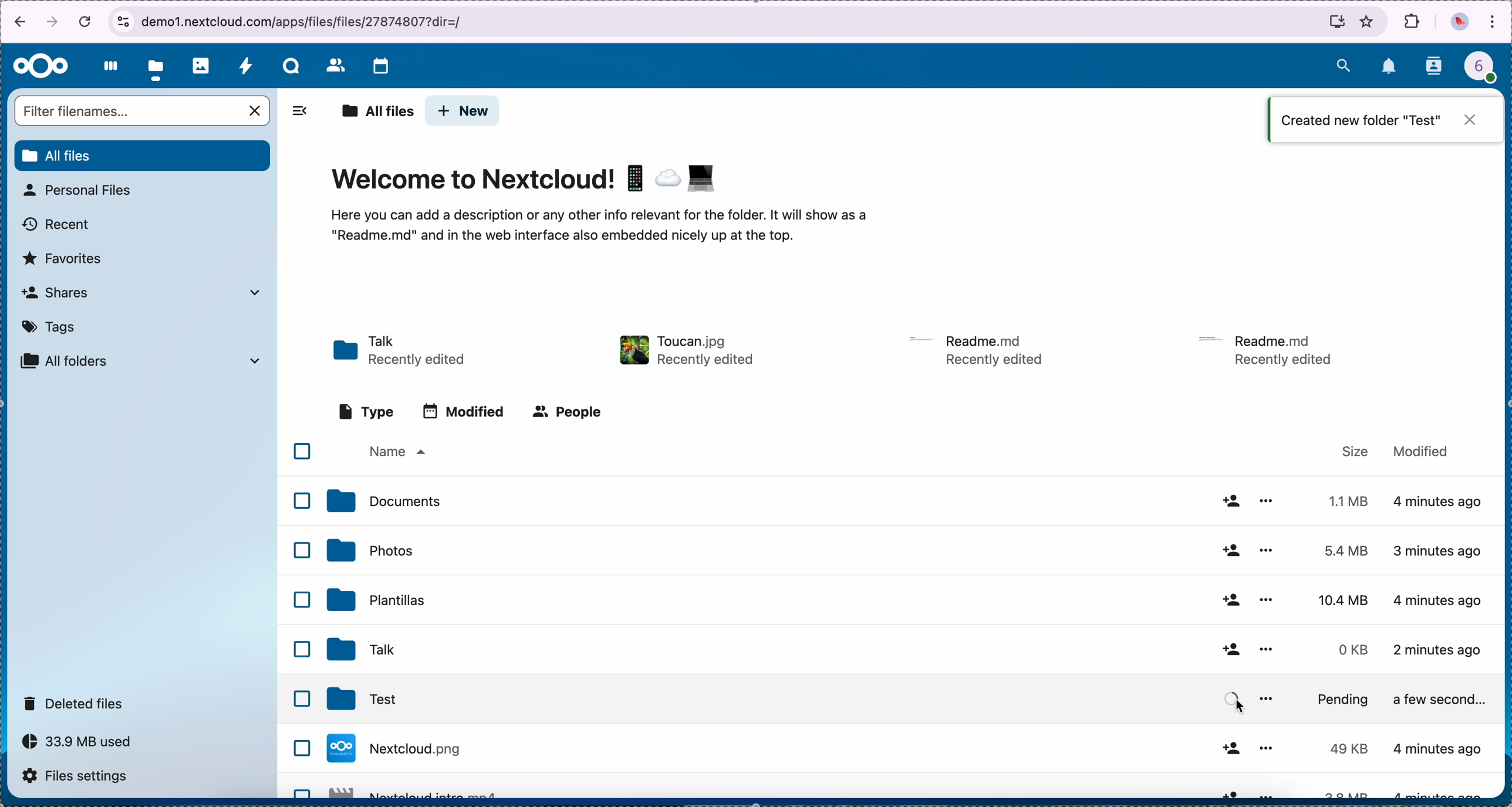  Describe the element at coordinates (107, 66) in the screenshot. I see `dashboard` at that location.